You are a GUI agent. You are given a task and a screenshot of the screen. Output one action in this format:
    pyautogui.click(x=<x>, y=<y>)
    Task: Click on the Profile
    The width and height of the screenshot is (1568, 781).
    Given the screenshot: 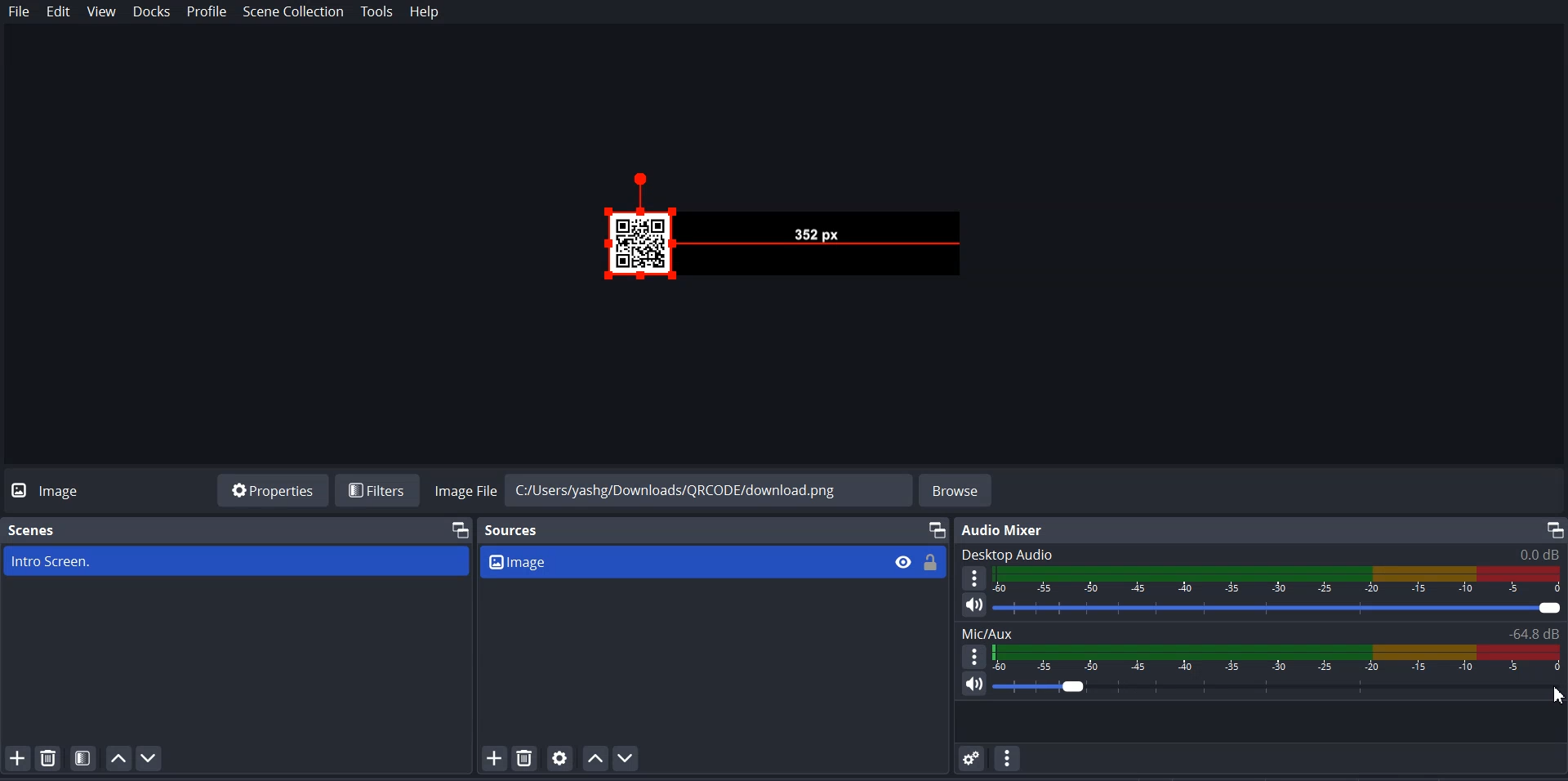 What is the action you would take?
    pyautogui.click(x=207, y=12)
    